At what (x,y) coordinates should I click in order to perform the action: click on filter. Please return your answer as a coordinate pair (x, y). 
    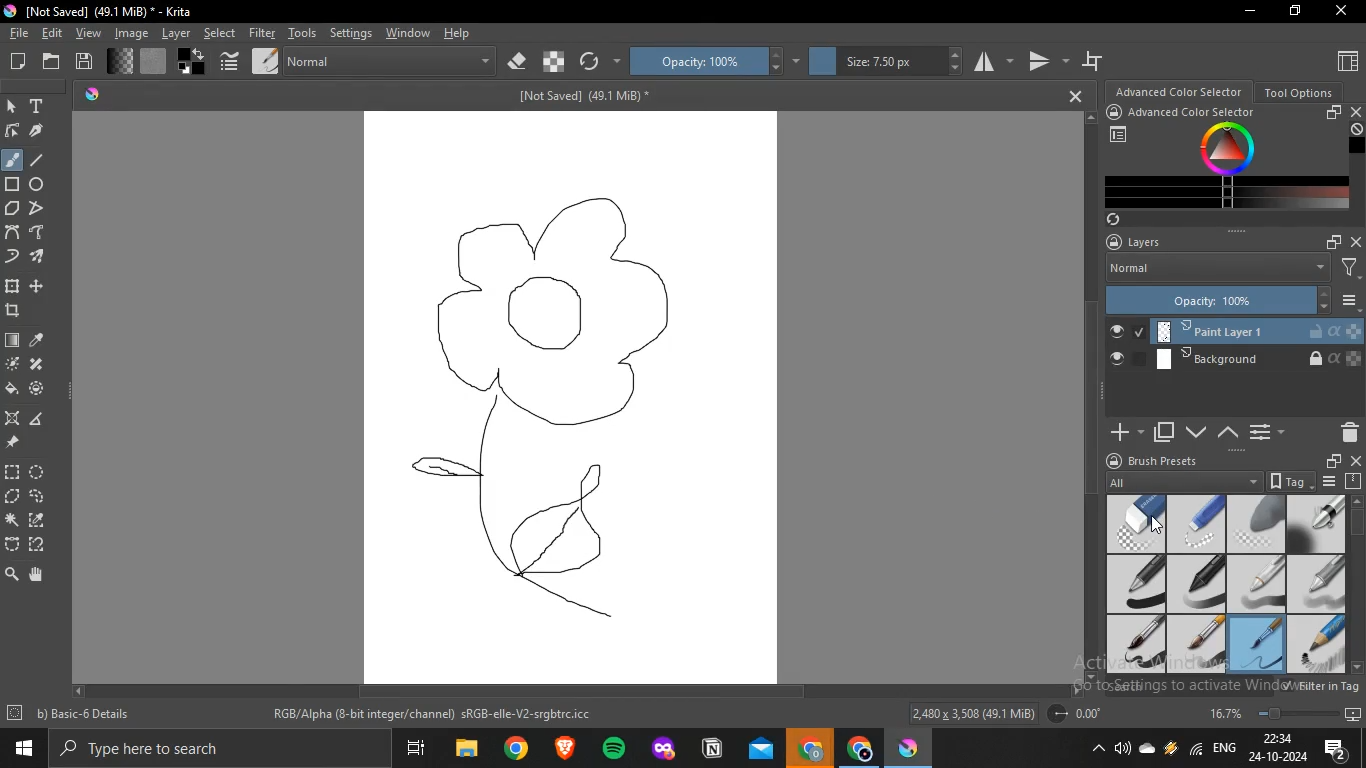
    Looking at the image, I should click on (260, 33).